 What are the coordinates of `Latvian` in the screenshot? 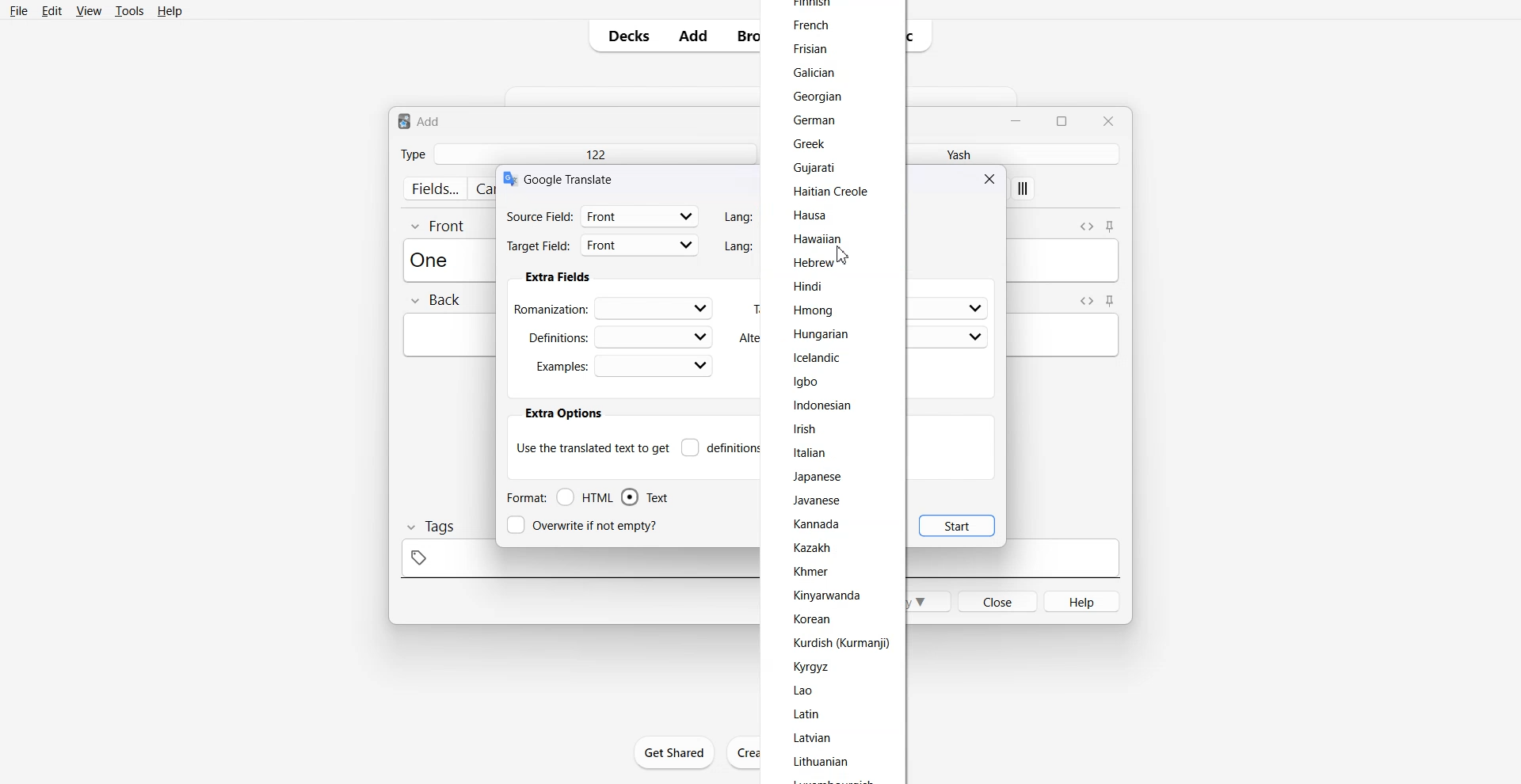 It's located at (815, 737).